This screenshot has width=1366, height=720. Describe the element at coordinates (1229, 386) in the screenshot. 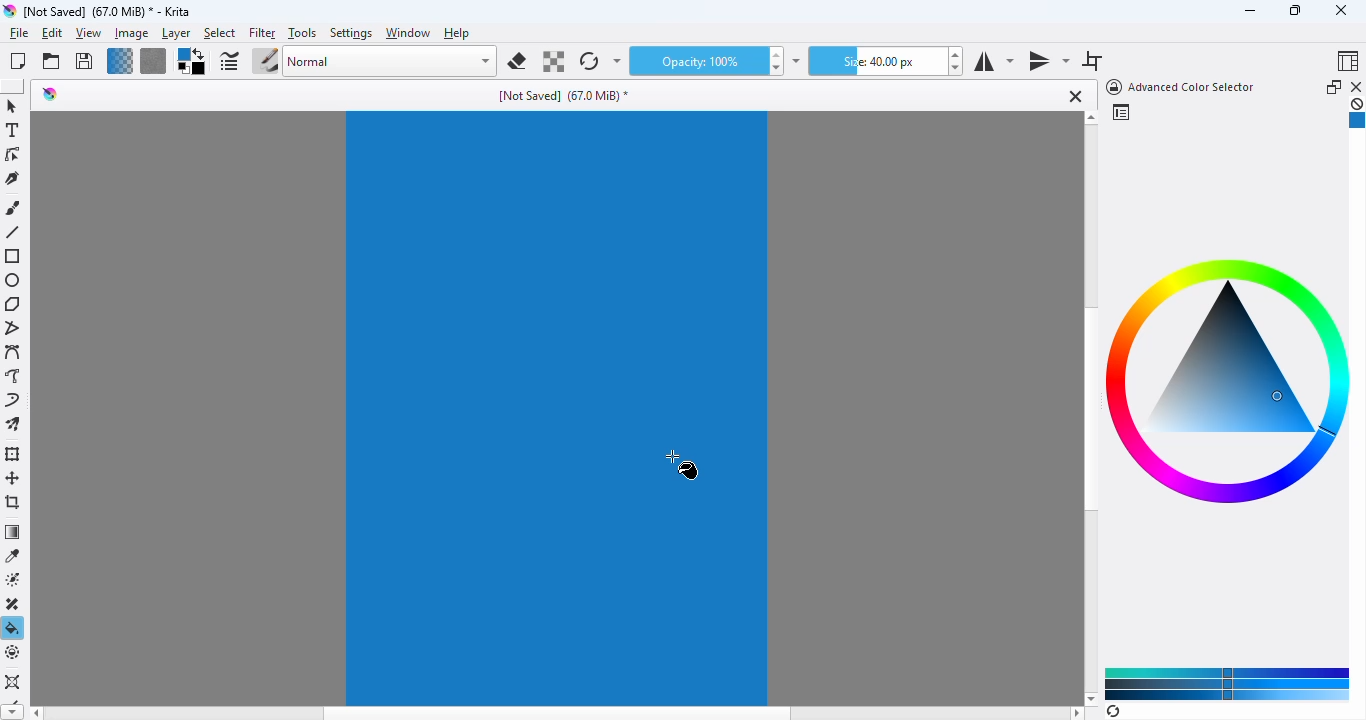

I see `color wheel` at that location.